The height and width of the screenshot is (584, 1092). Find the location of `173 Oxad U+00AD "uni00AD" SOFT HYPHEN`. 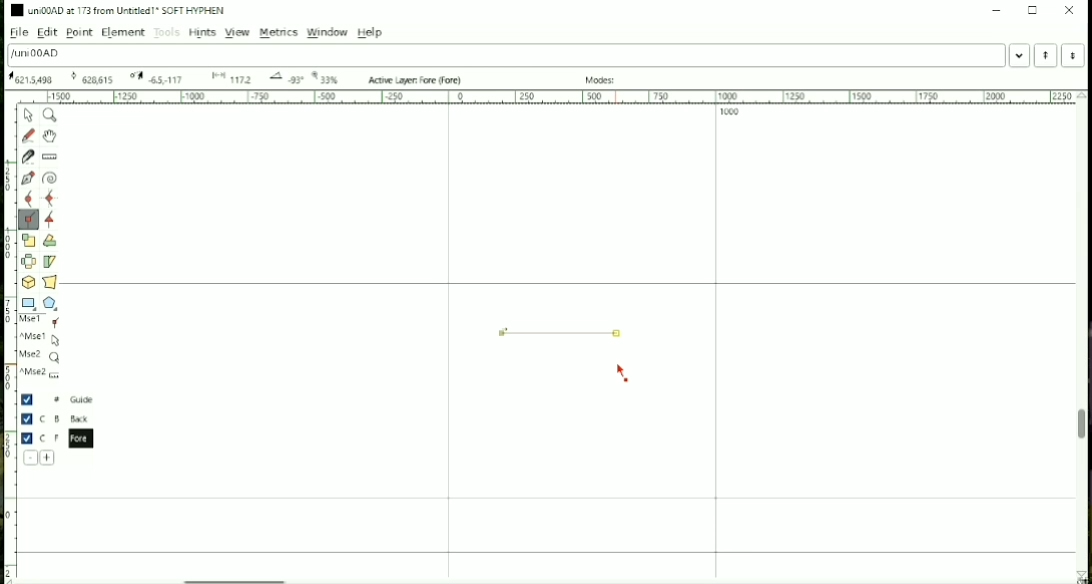

173 Oxad U+00AD "uni00AD" SOFT HYPHEN is located at coordinates (158, 78).